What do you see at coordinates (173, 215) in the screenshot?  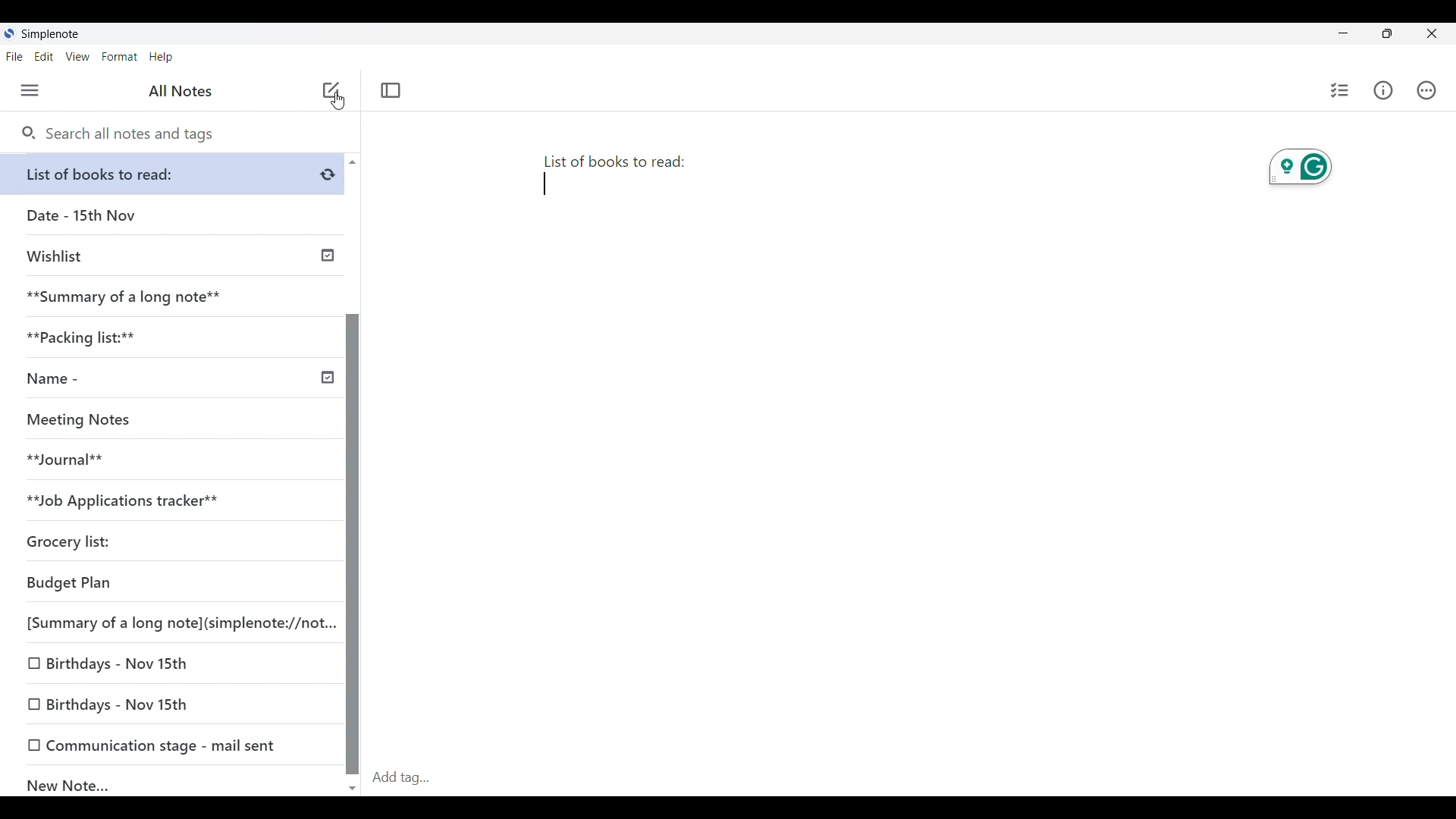 I see `Date - 15th Nov` at bounding box center [173, 215].